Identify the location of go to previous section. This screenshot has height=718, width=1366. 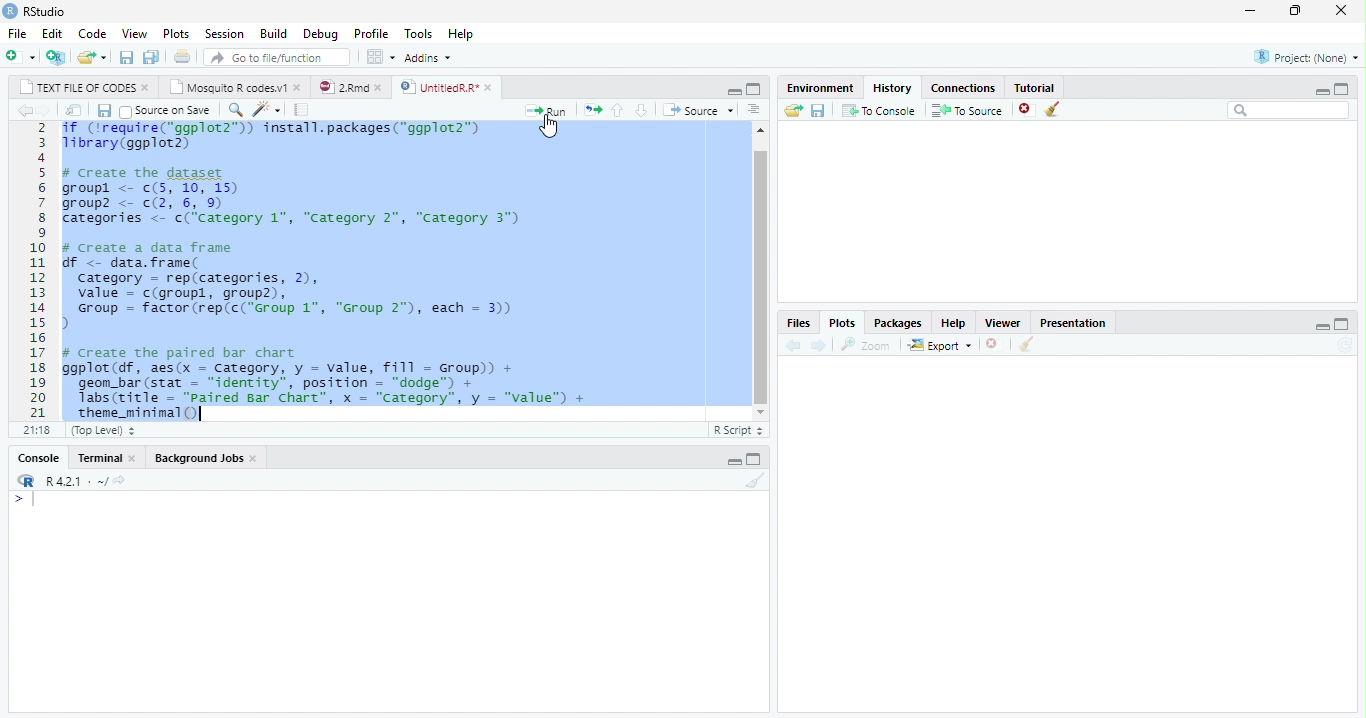
(619, 110).